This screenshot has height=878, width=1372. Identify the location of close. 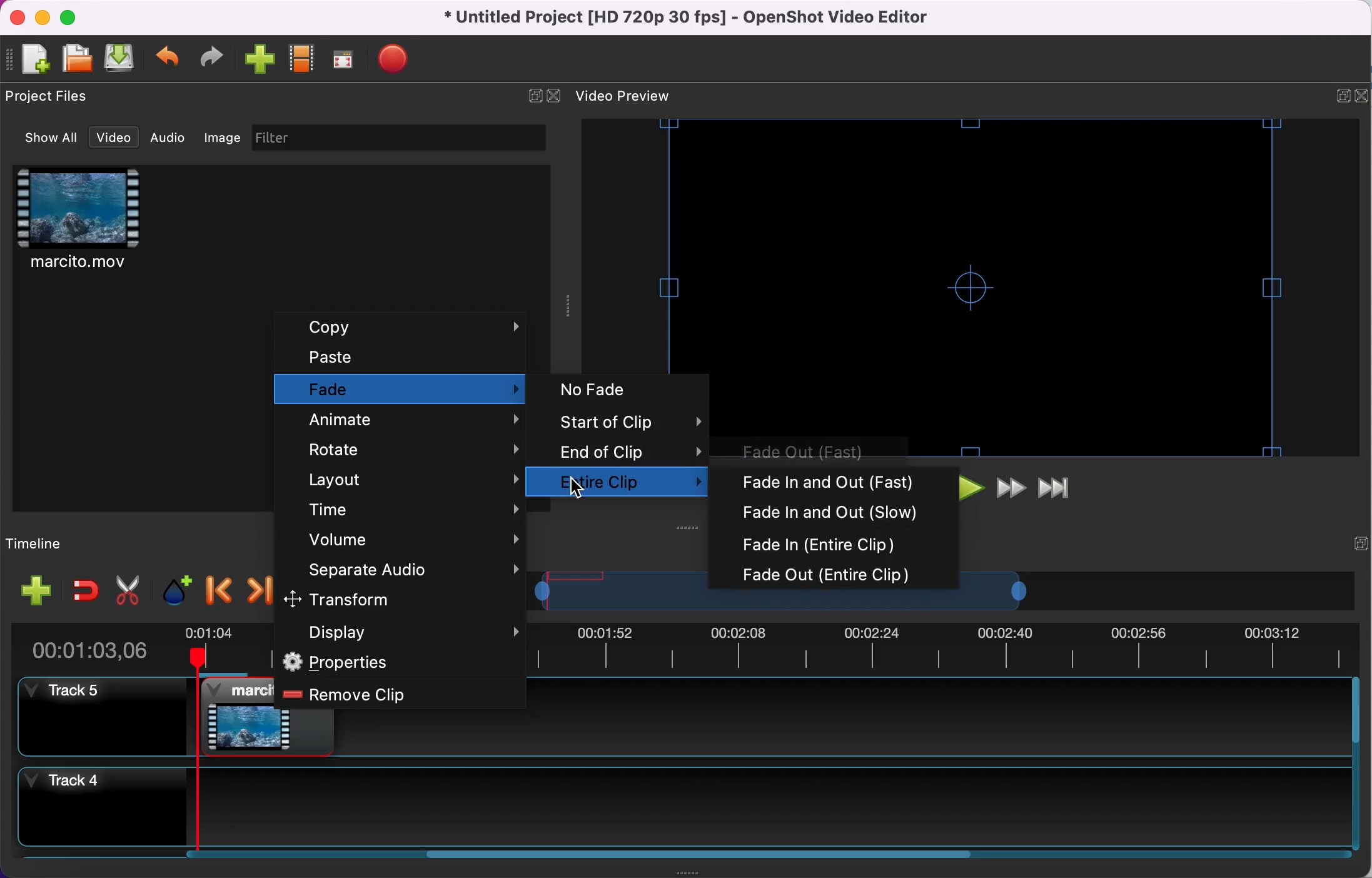
(19, 17).